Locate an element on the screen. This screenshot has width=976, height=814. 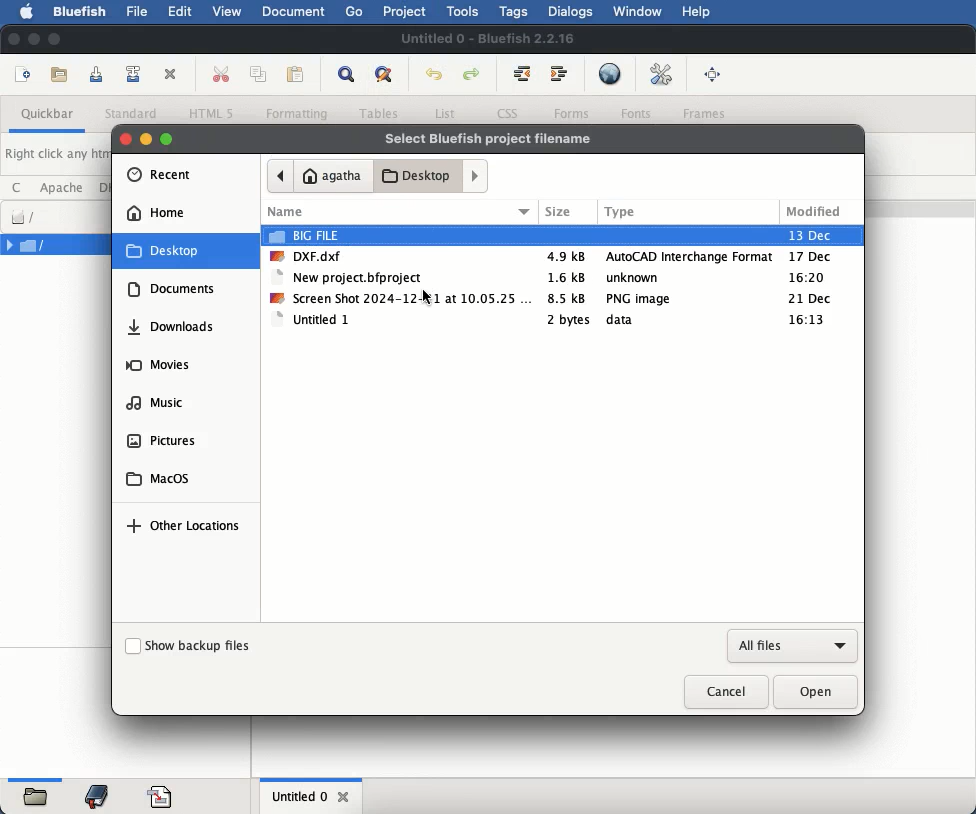
close is located at coordinates (125, 138).